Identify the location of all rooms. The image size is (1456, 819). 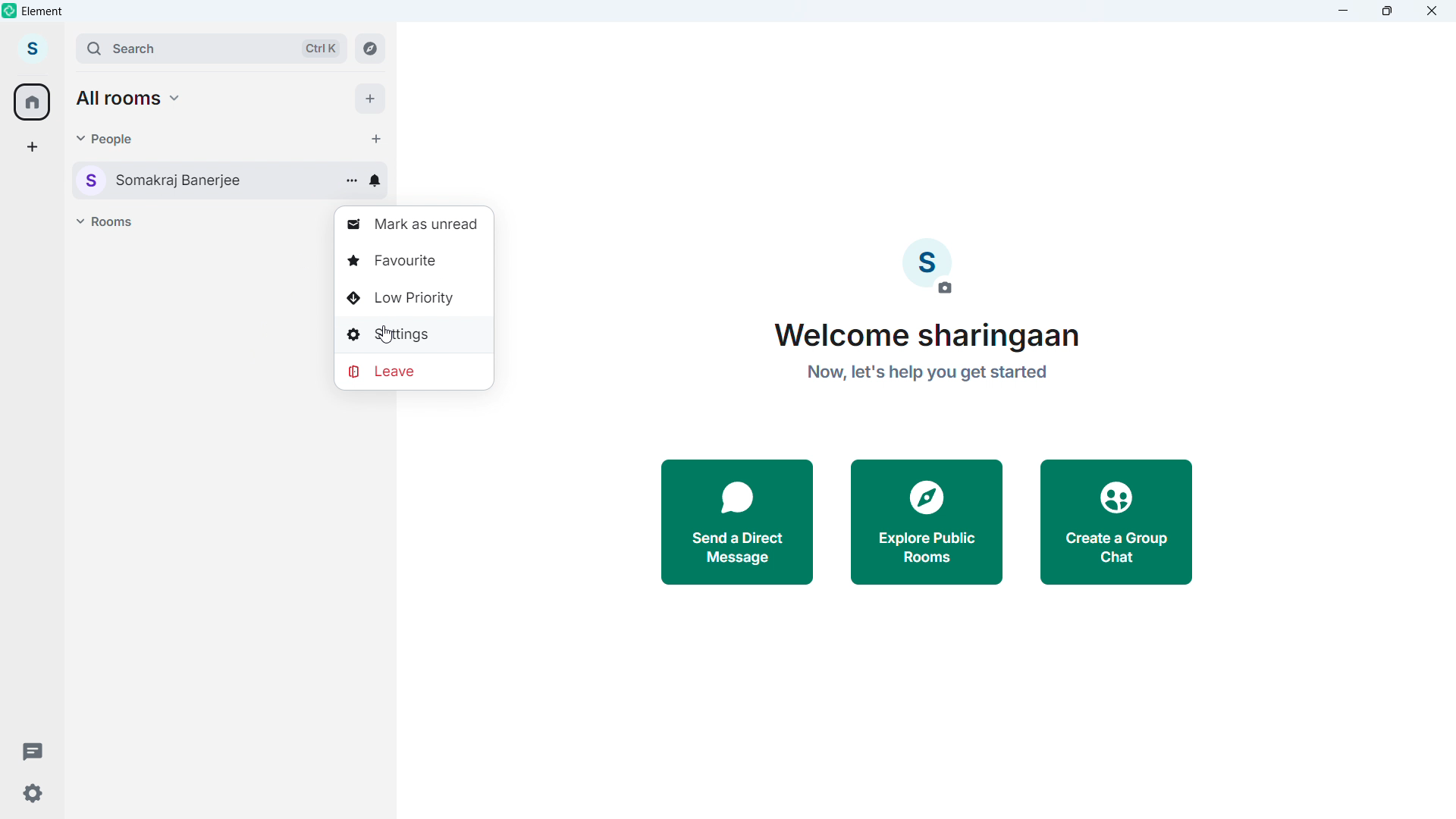
(133, 98).